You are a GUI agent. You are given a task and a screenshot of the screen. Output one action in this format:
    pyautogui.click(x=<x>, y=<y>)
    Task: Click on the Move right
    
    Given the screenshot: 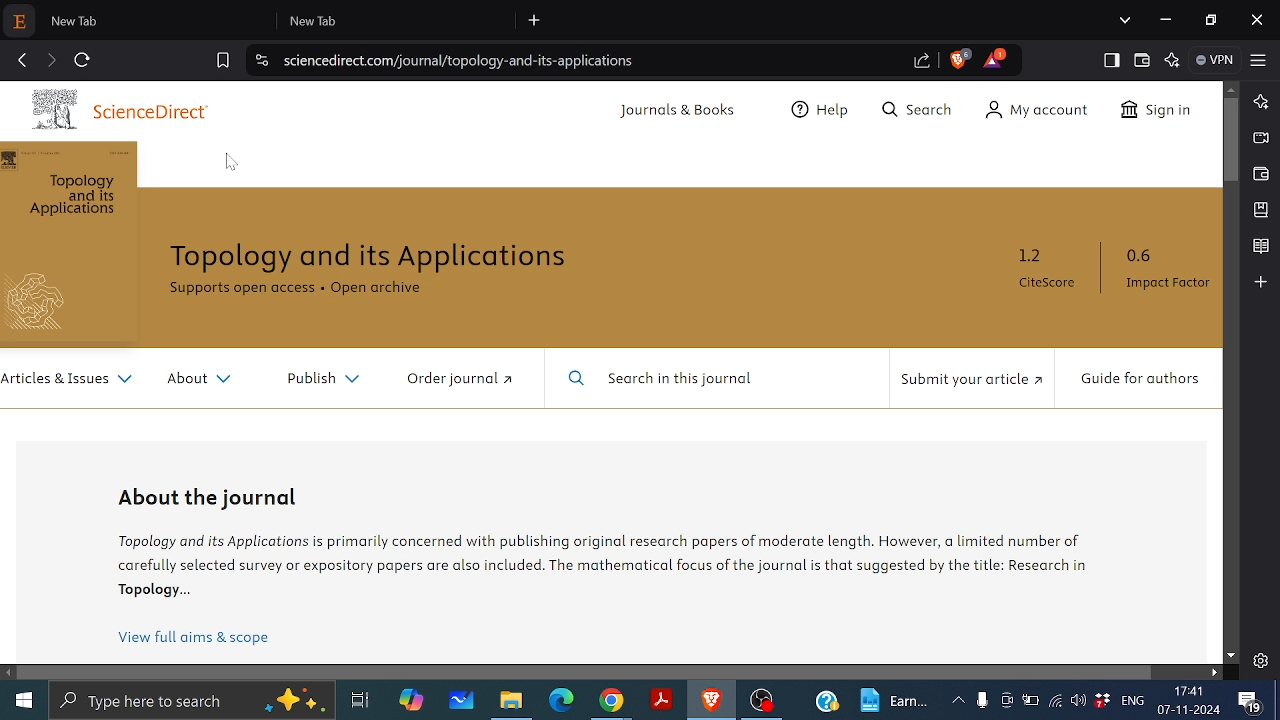 What is the action you would take?
    pyautogui.click(x=1215, y=674)
    